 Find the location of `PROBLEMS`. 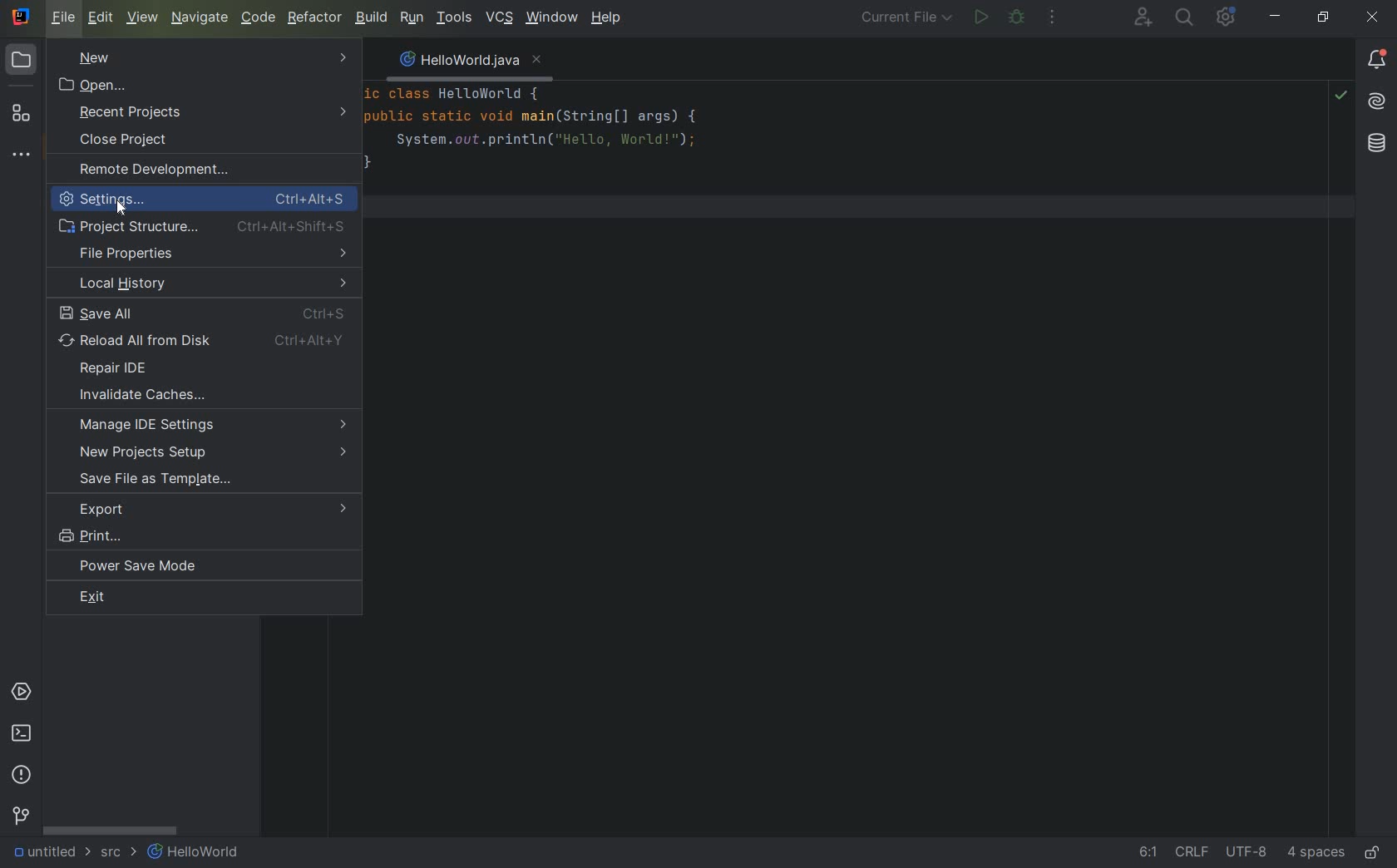

PROBLEMS is located at coordinates (22, 774).